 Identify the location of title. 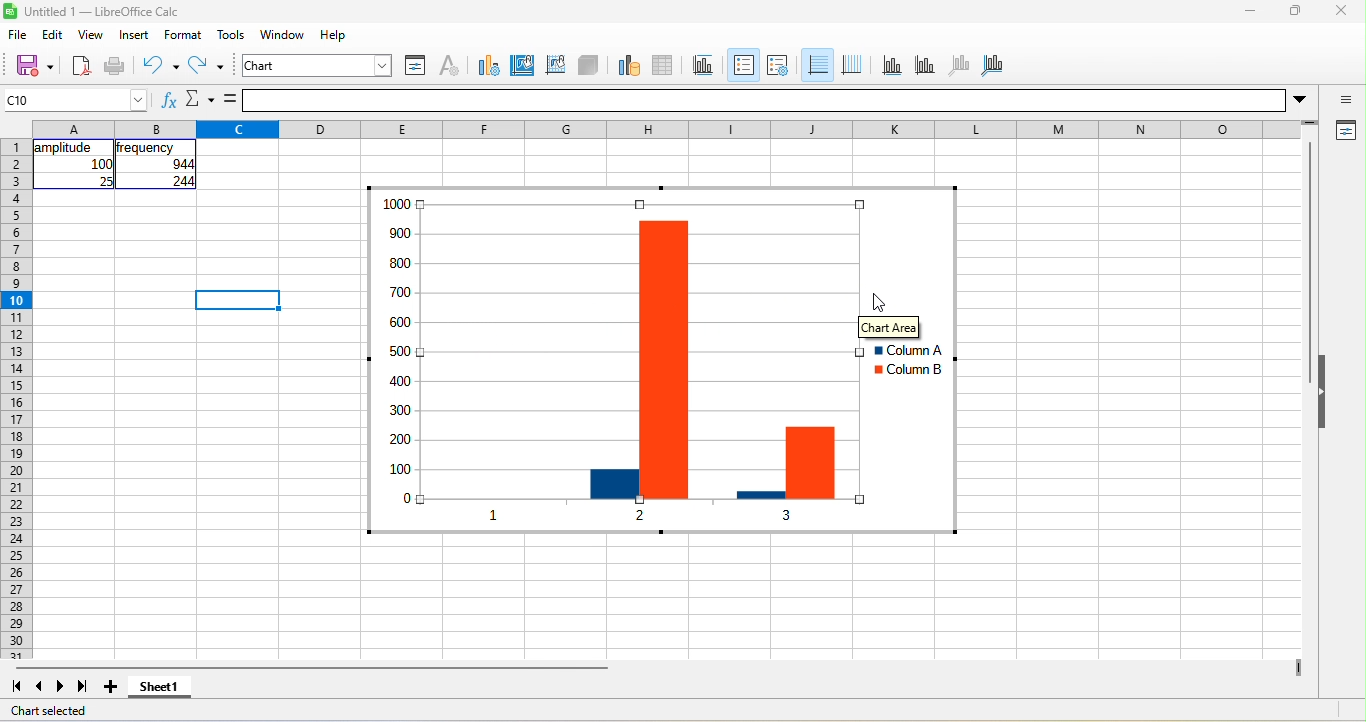
(707, 65).